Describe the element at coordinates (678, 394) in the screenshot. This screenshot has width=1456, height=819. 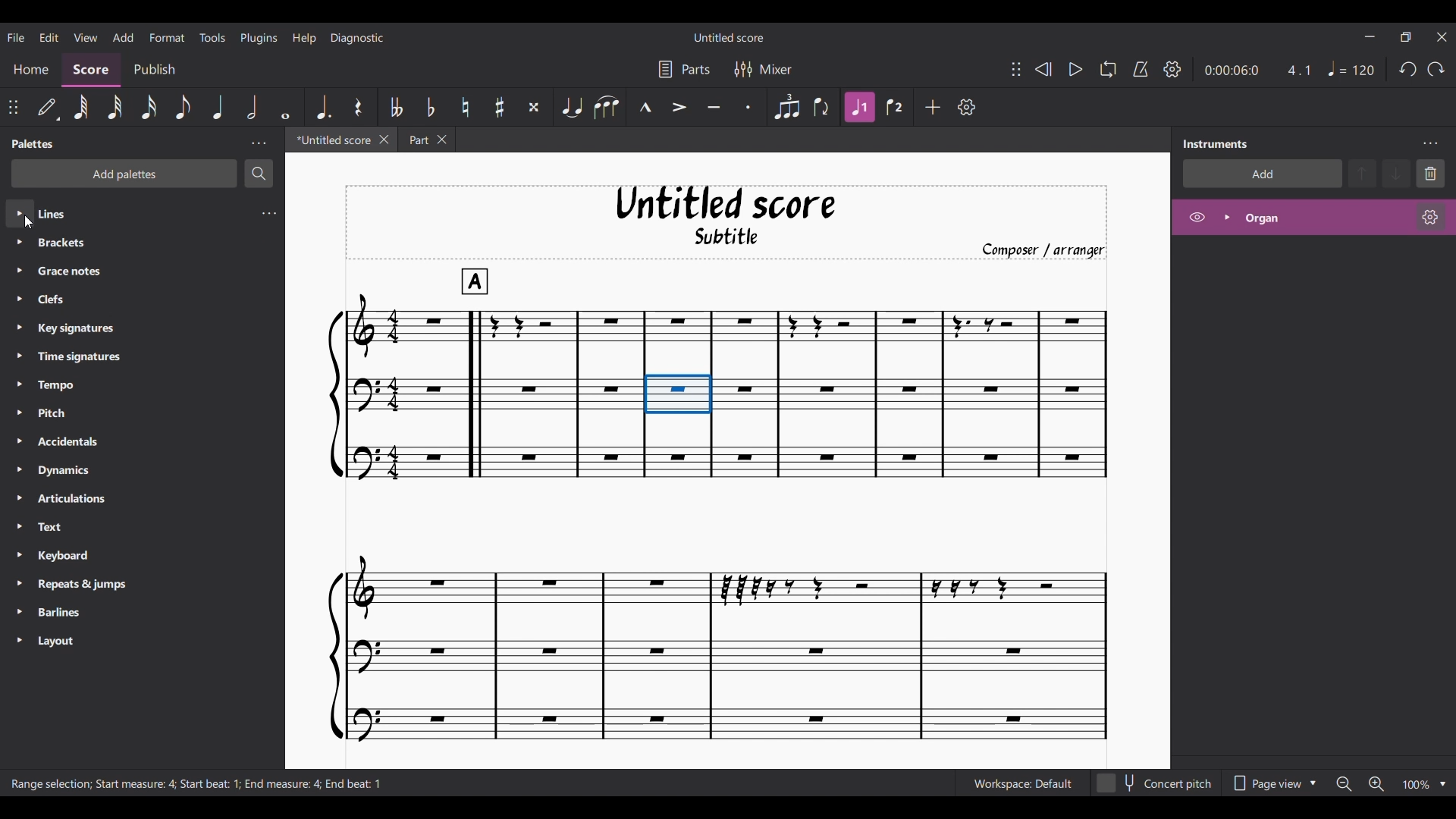
I see `Current selection highlighted` at that location.